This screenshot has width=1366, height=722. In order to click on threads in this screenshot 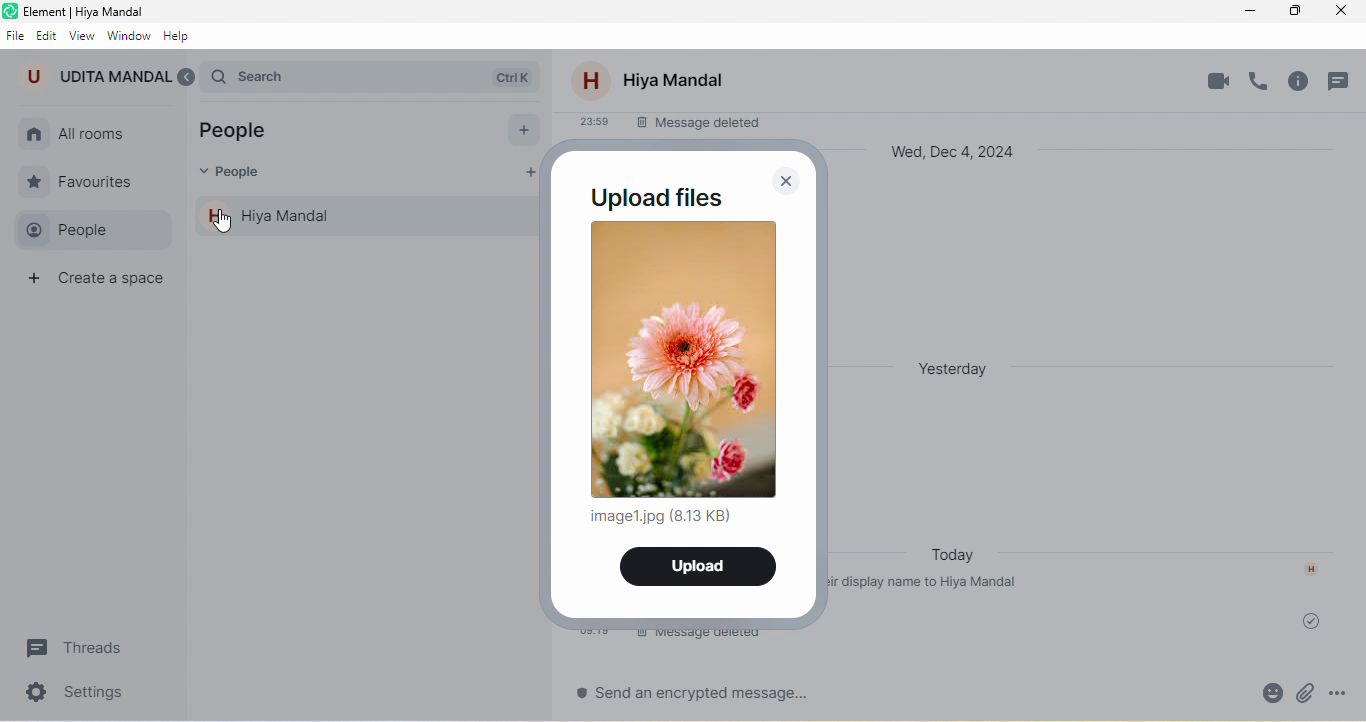, I will do `click(1344, 84)`.